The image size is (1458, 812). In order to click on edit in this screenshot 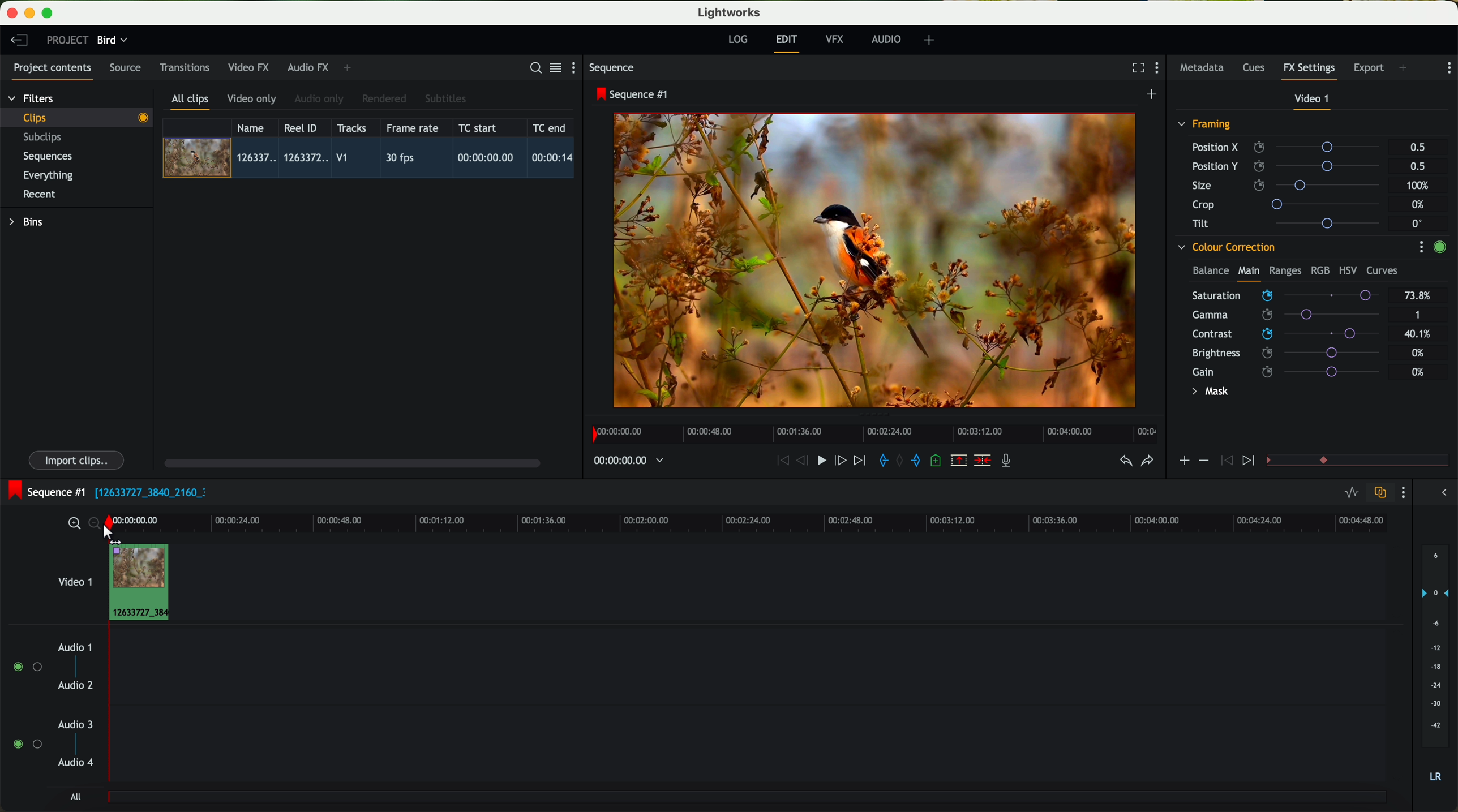, I will do `click(788, 42)`.